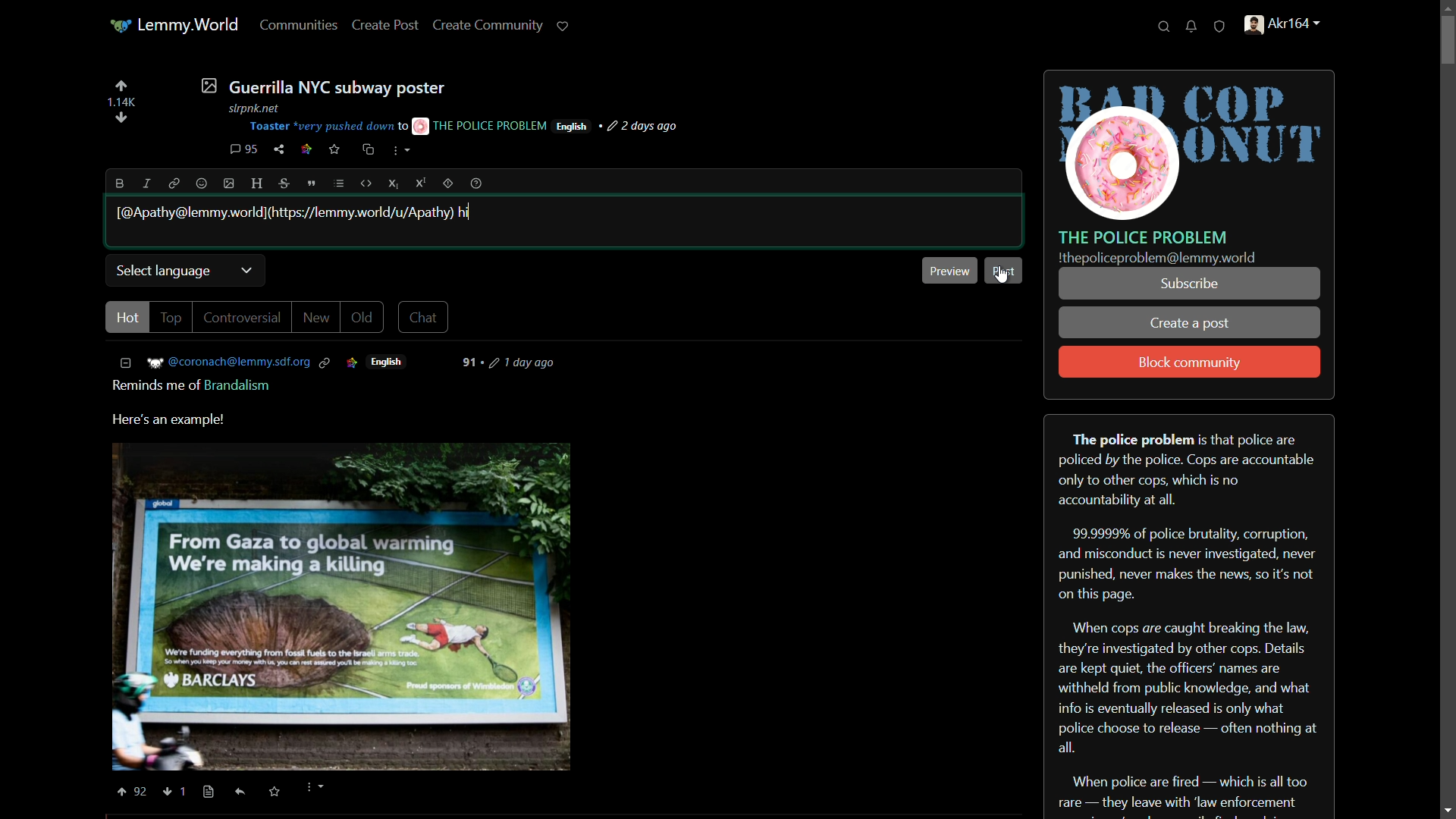 The height and width of the screenshot is (819, 1456). Describe the element at coordinates (176, 26) in the screenshot. I see `lemmy world ` at that location.